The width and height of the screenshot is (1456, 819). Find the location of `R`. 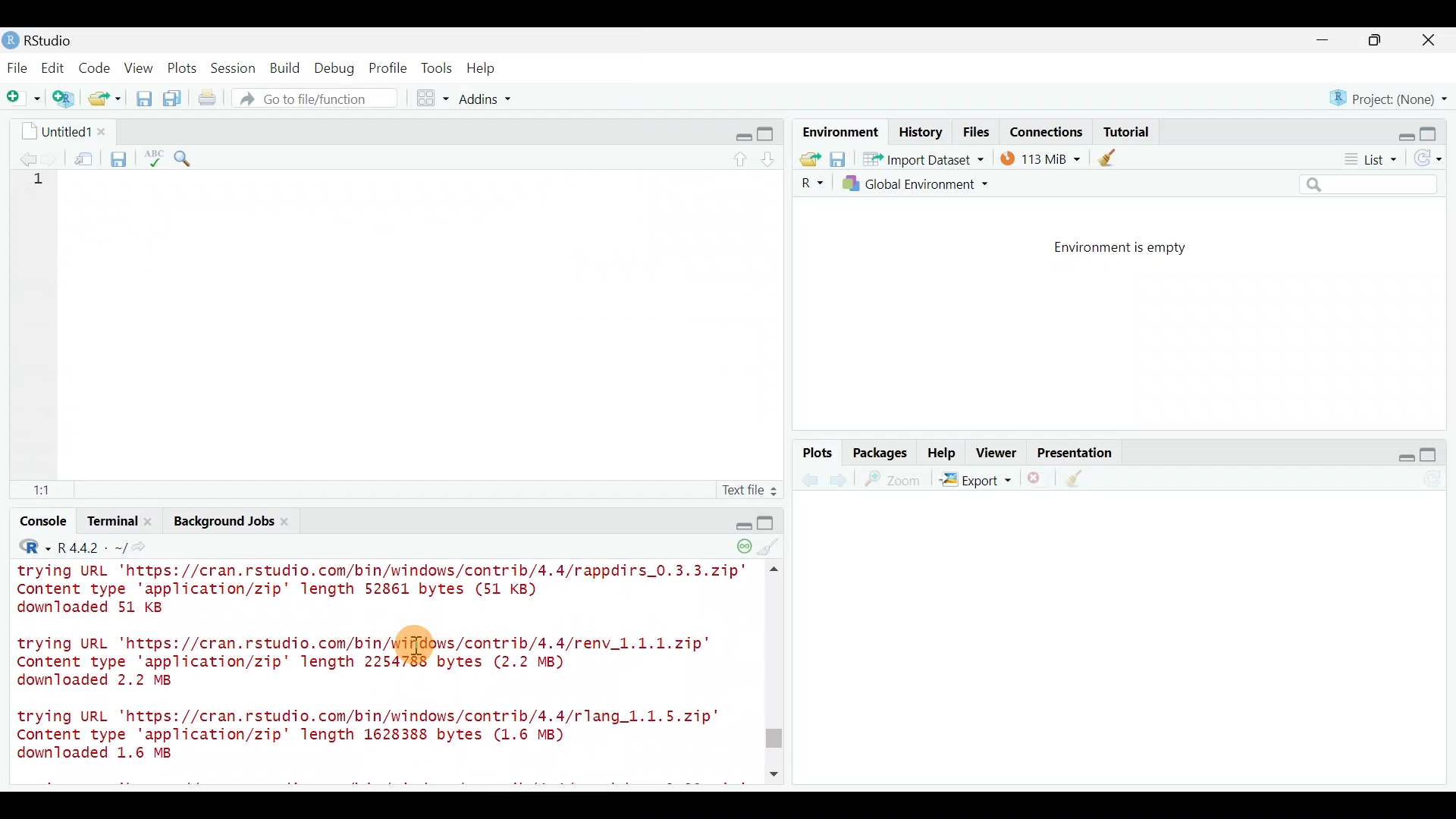

R is located at coordinates (29, 547).